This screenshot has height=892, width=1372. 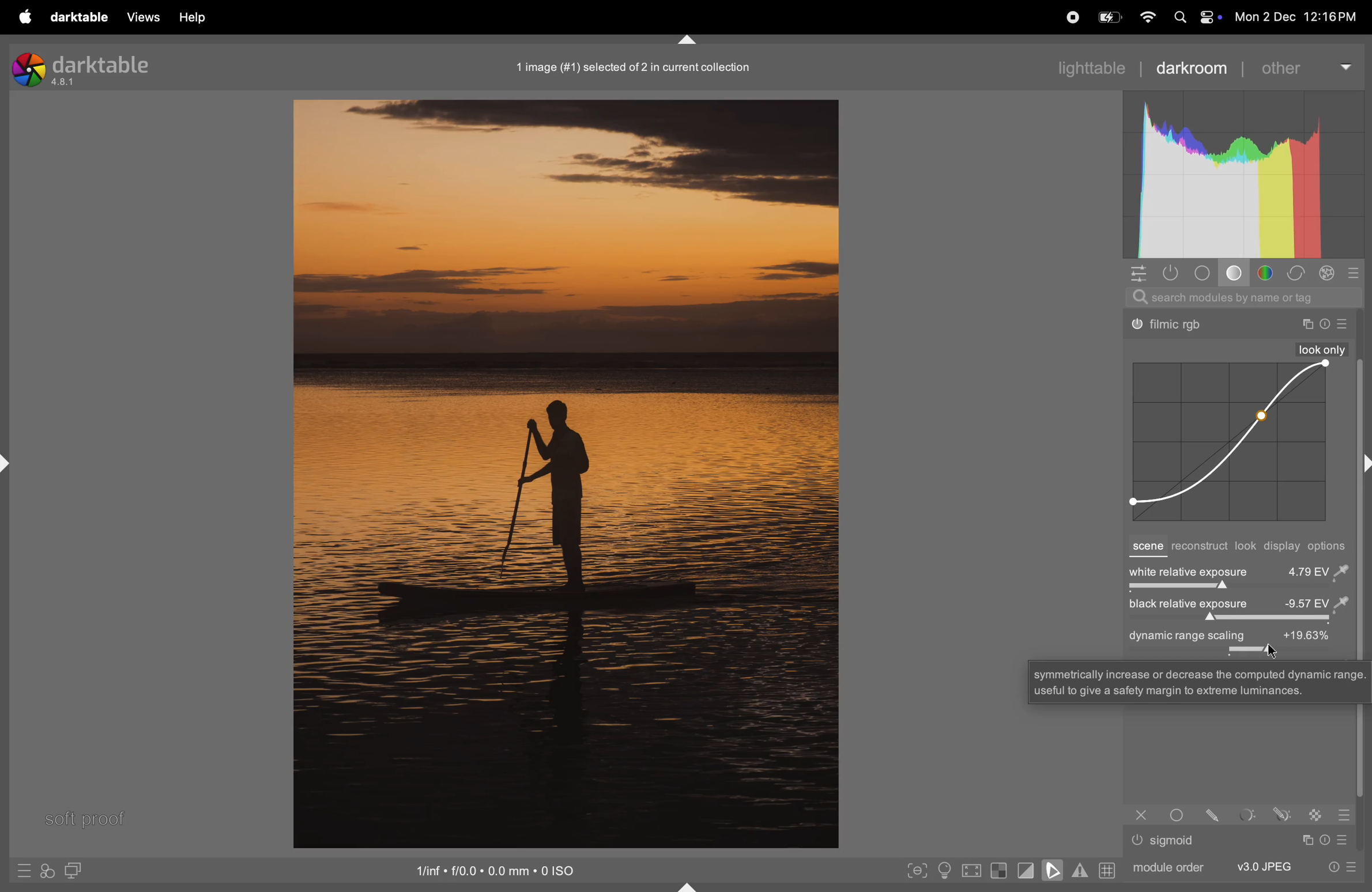 What do you see at coordinates (1238, 570) in the screenshot?
I see `white exposure` at bounding box center [1238, 570].